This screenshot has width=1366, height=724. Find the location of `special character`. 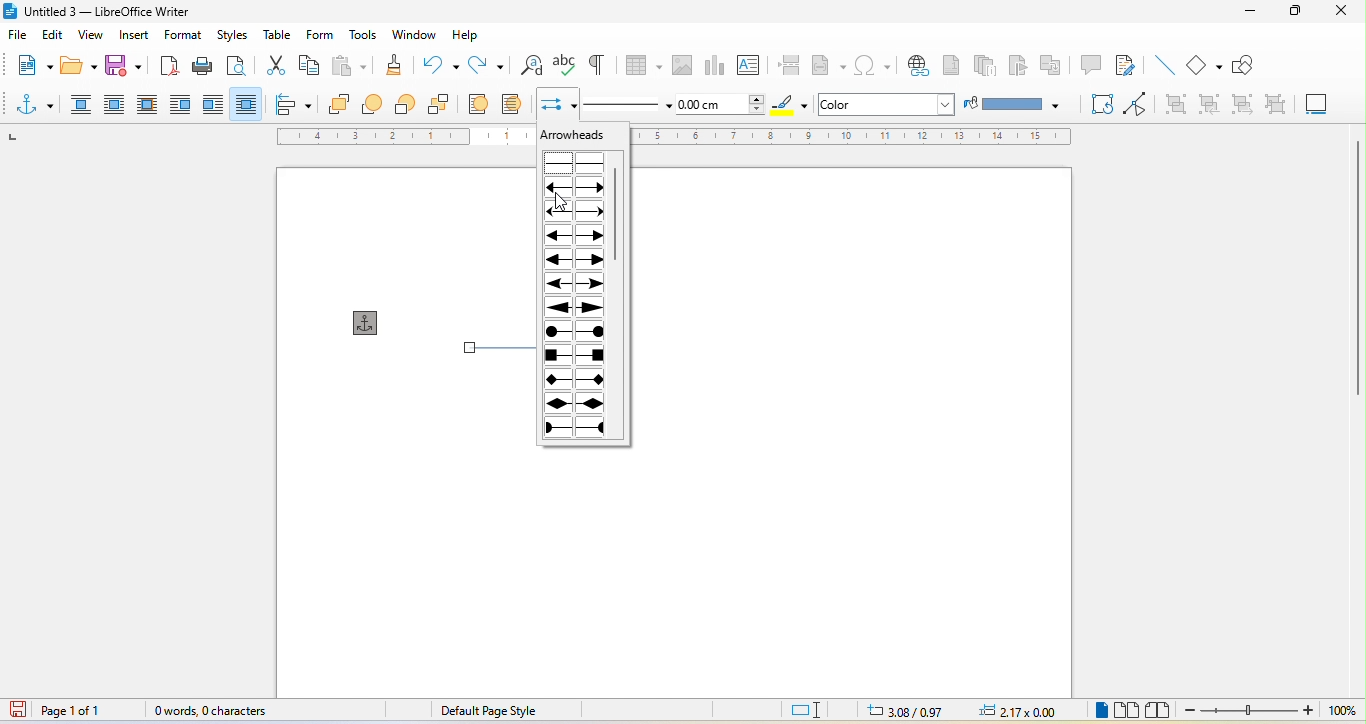

special character is located at coordinates (873, 67).